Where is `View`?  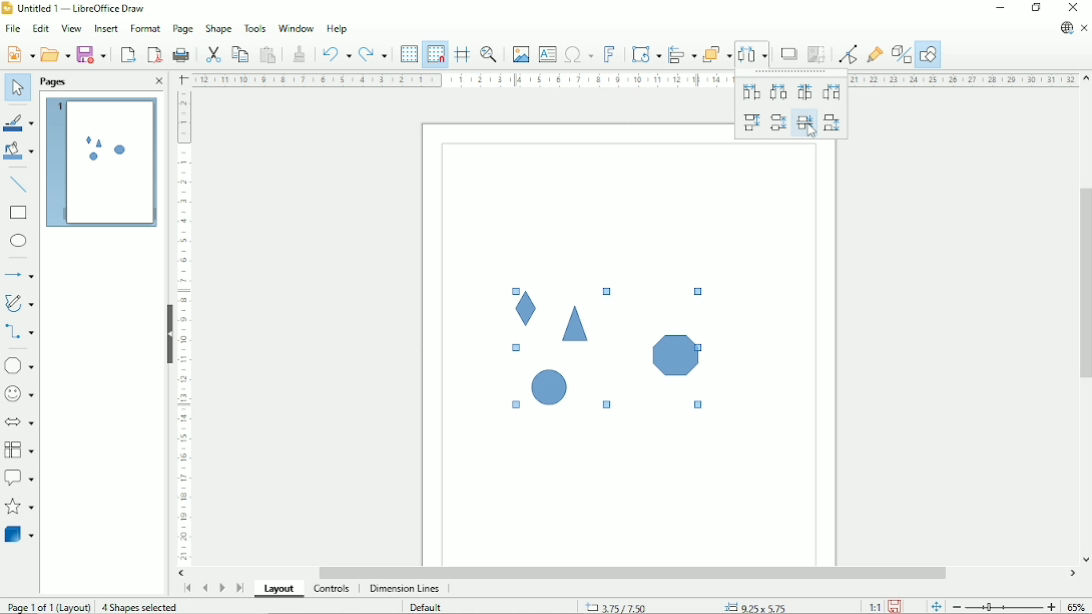
View is located at coordinates (70, 28).